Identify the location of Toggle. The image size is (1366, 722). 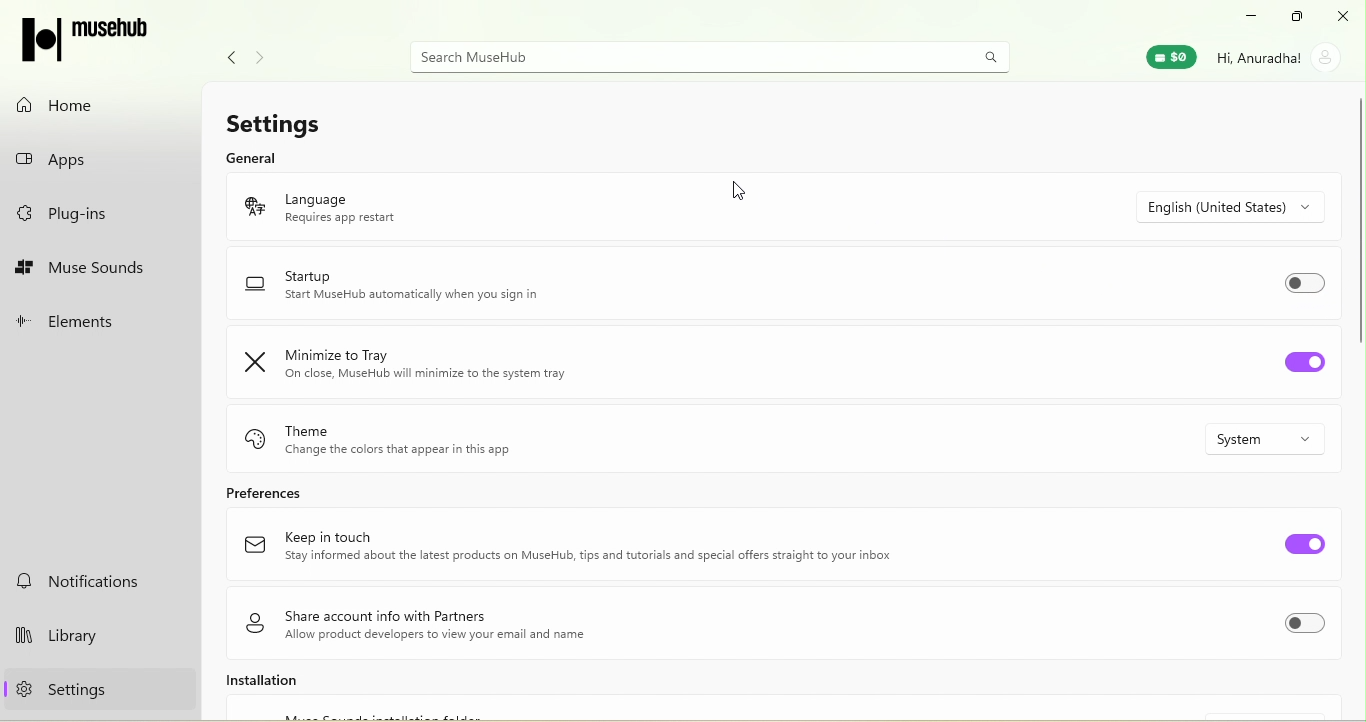
(1307, 283).